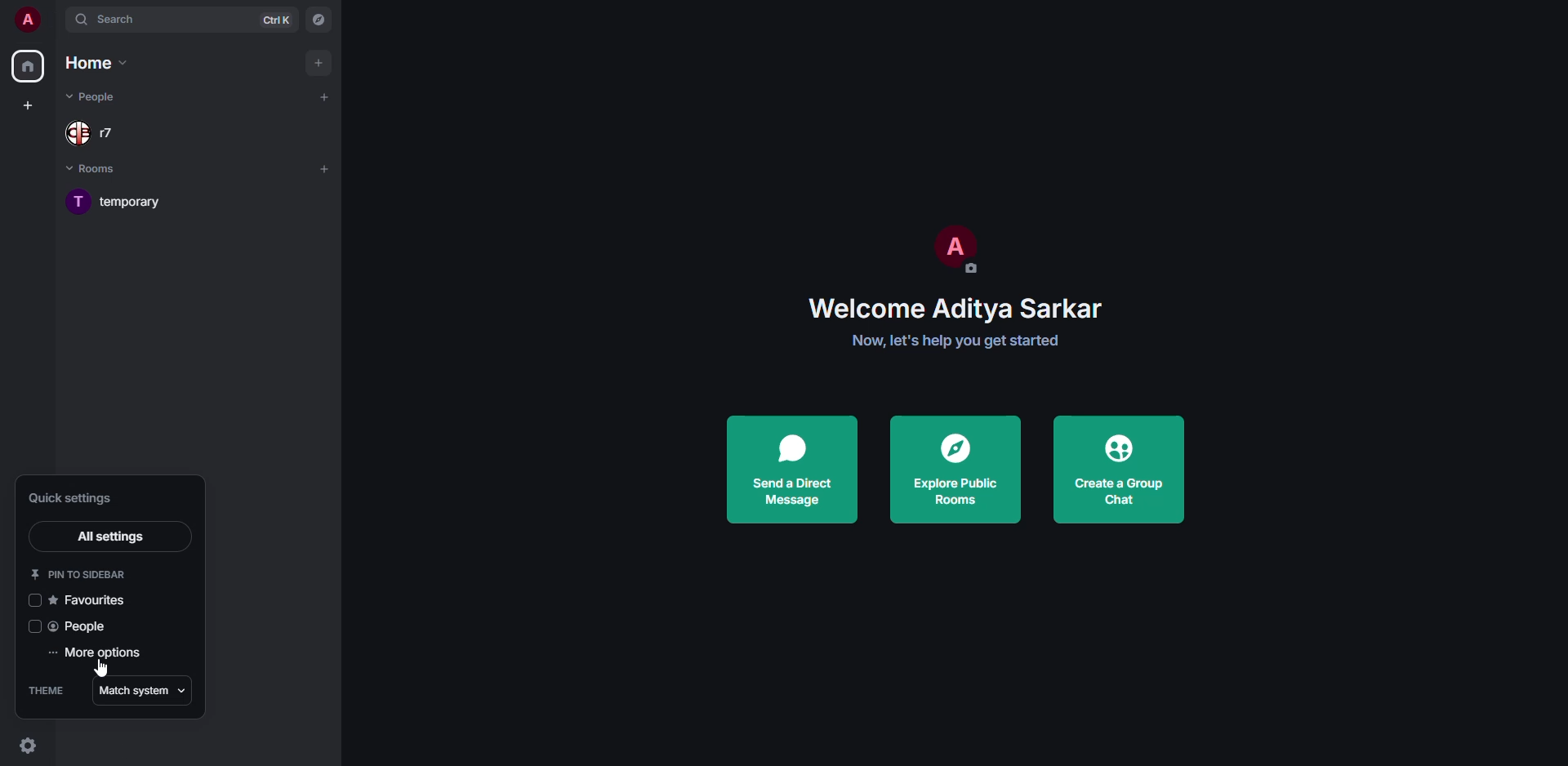  Describe the element at coordinates (951, 247) in the screenshot. I see `profile pic` at that location.